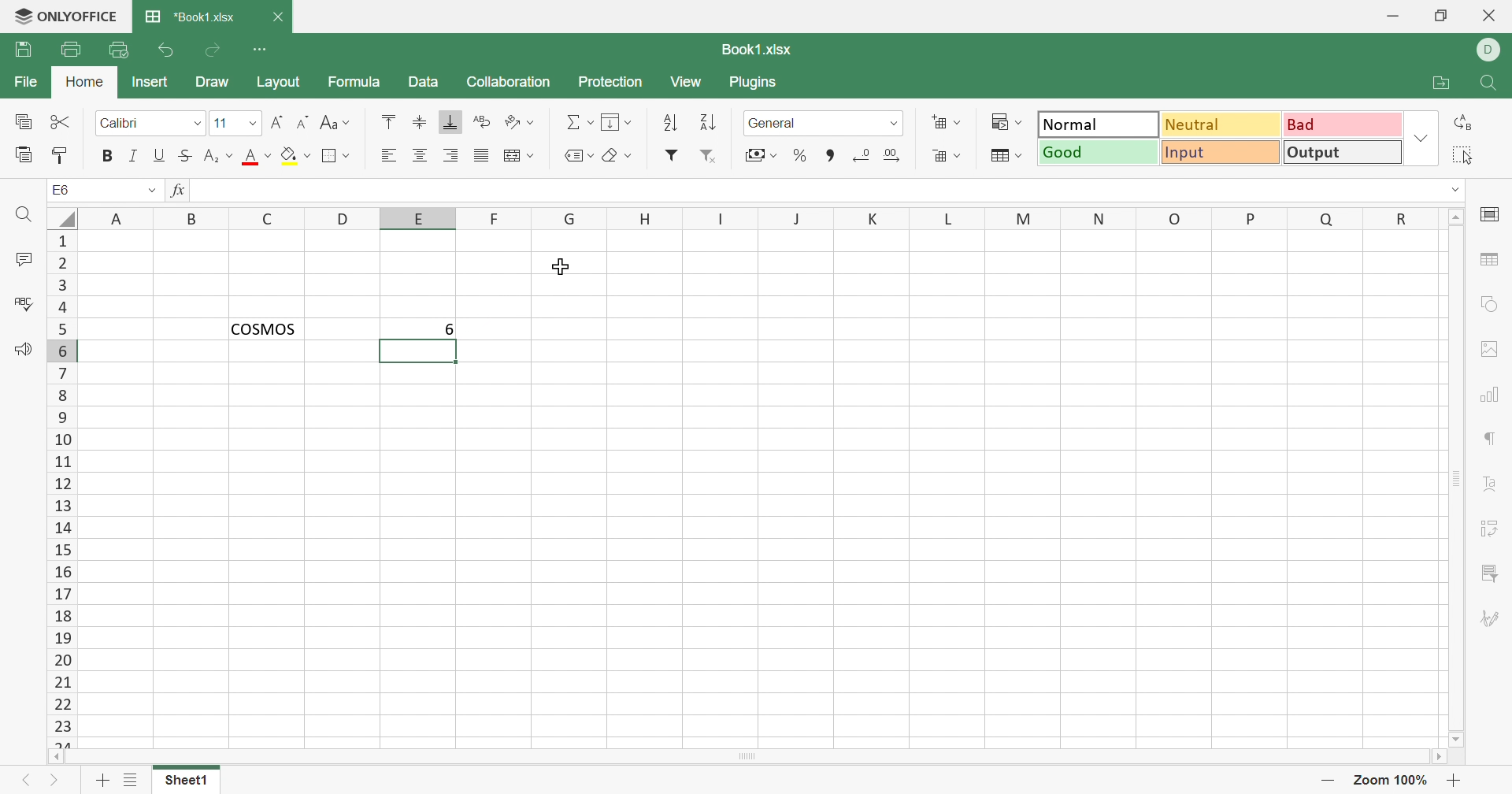  I want to click on Redo, so click(213, 54).